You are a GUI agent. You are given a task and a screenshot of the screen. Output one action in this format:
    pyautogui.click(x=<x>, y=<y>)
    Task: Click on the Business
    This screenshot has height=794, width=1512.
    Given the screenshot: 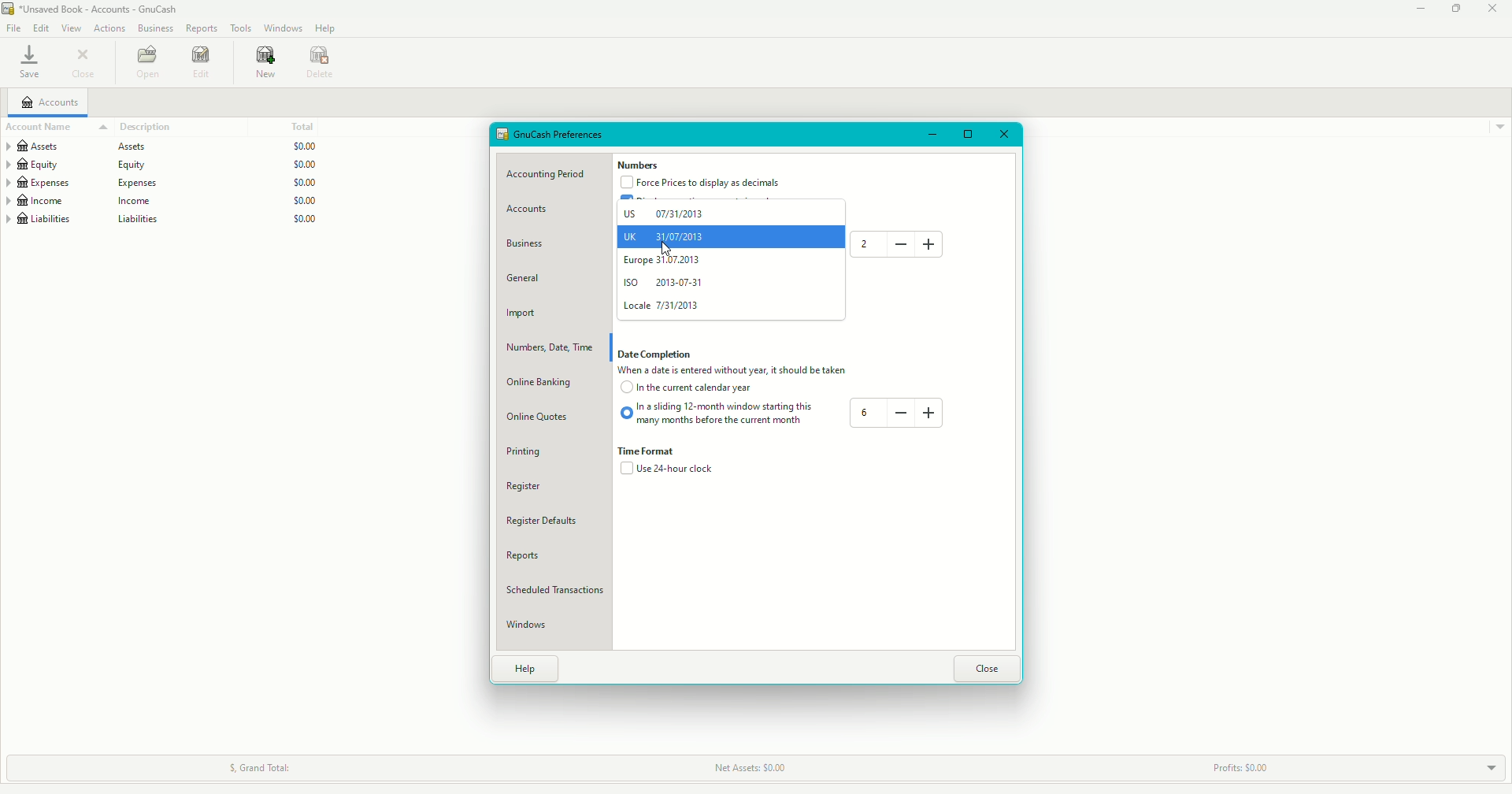 What is the action you would take?
    pyautogui.click(x=530, y=243)
    